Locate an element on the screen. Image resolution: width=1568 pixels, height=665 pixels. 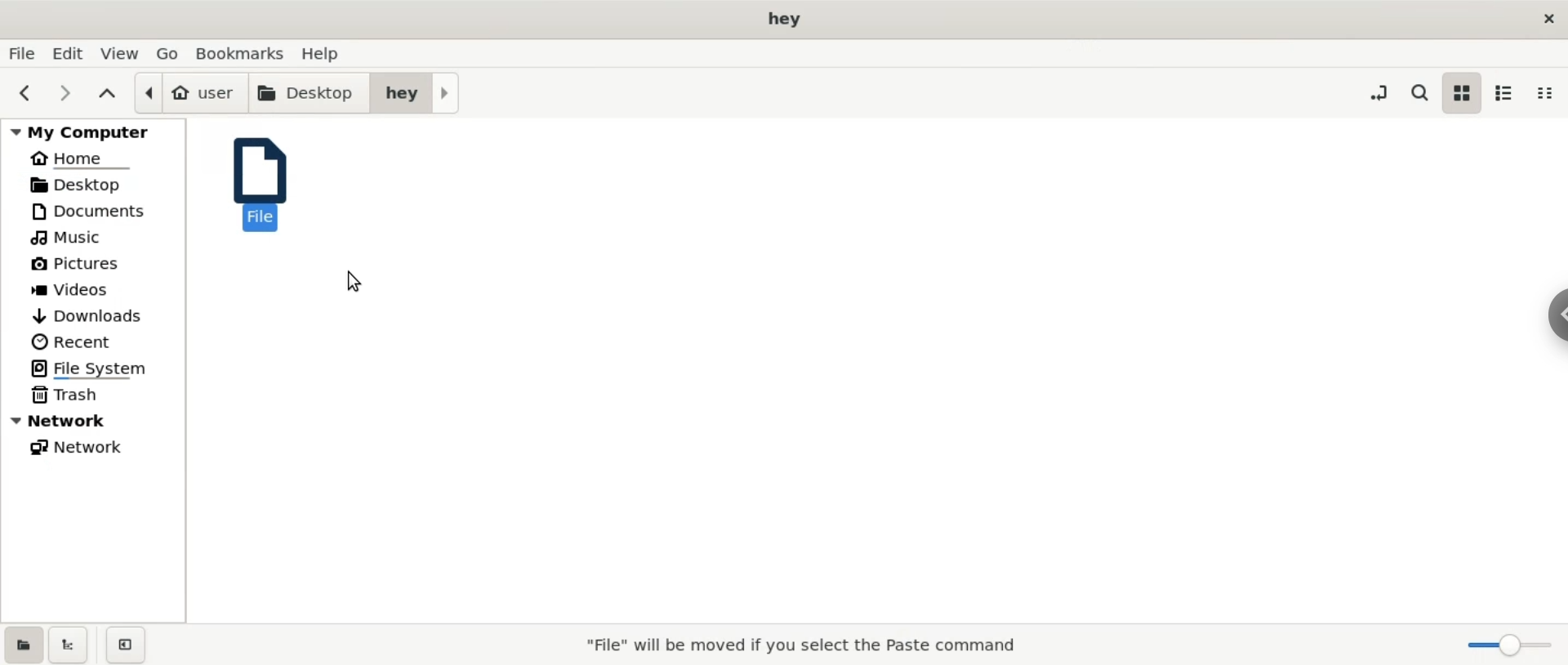
search is located at coordinates (1418, 92).